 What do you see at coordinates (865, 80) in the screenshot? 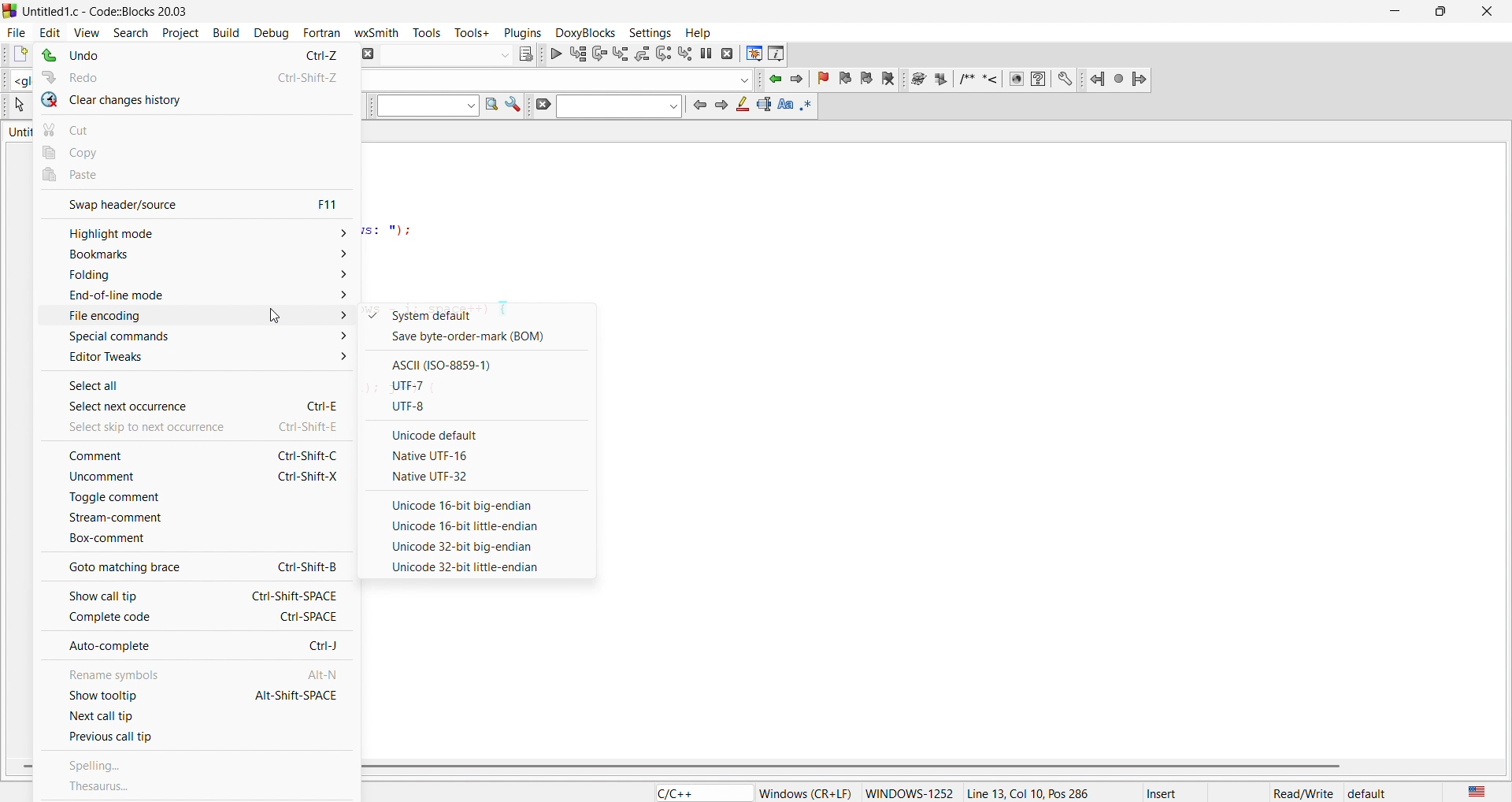
I see `next bookmark` at bounding box center [865, 80].